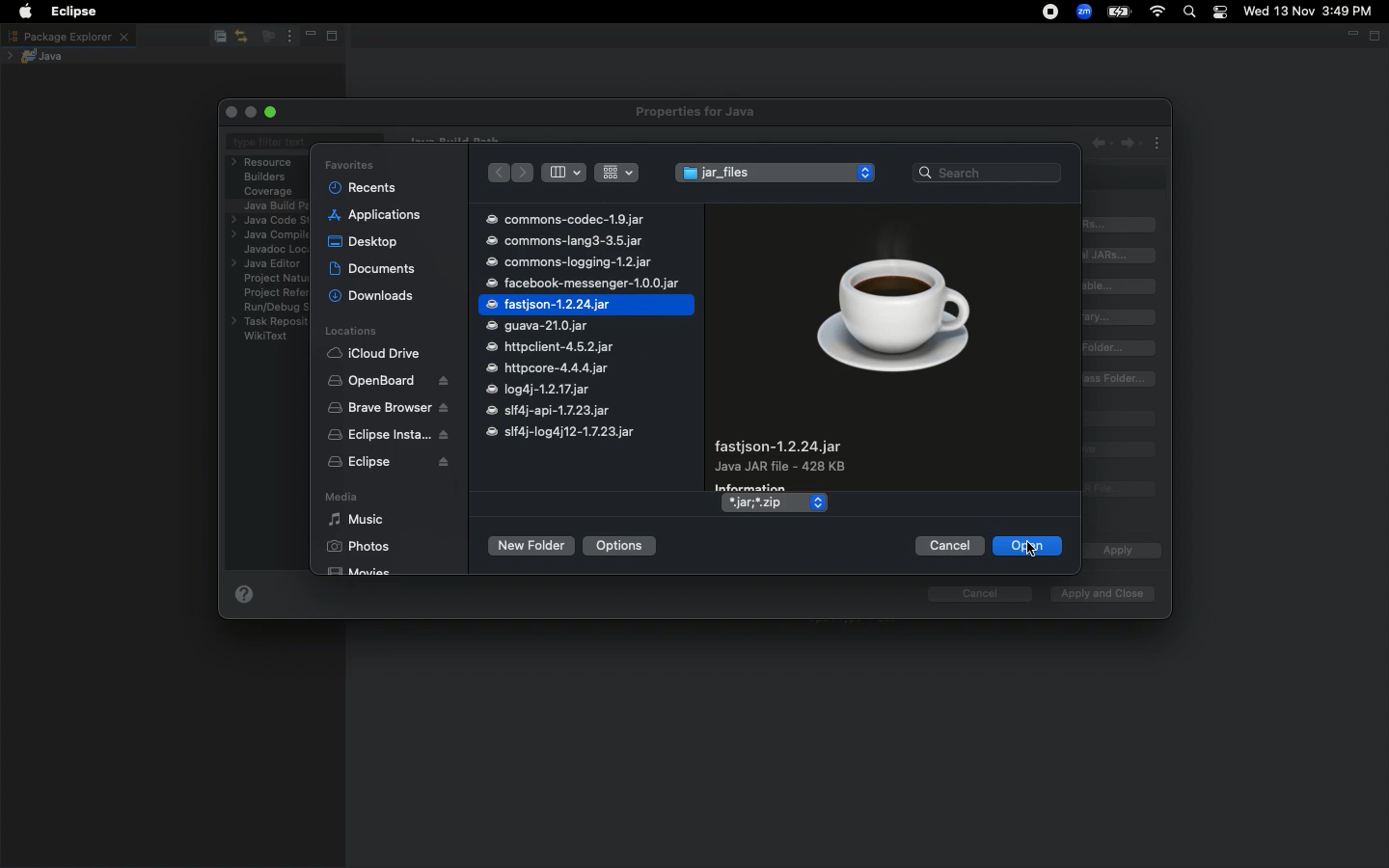 Image resolution: width=1389 pixels, height=868 pixels. Describe the element at coordinates (276, 204) in the screenshot. I see `Java build path` at that location.